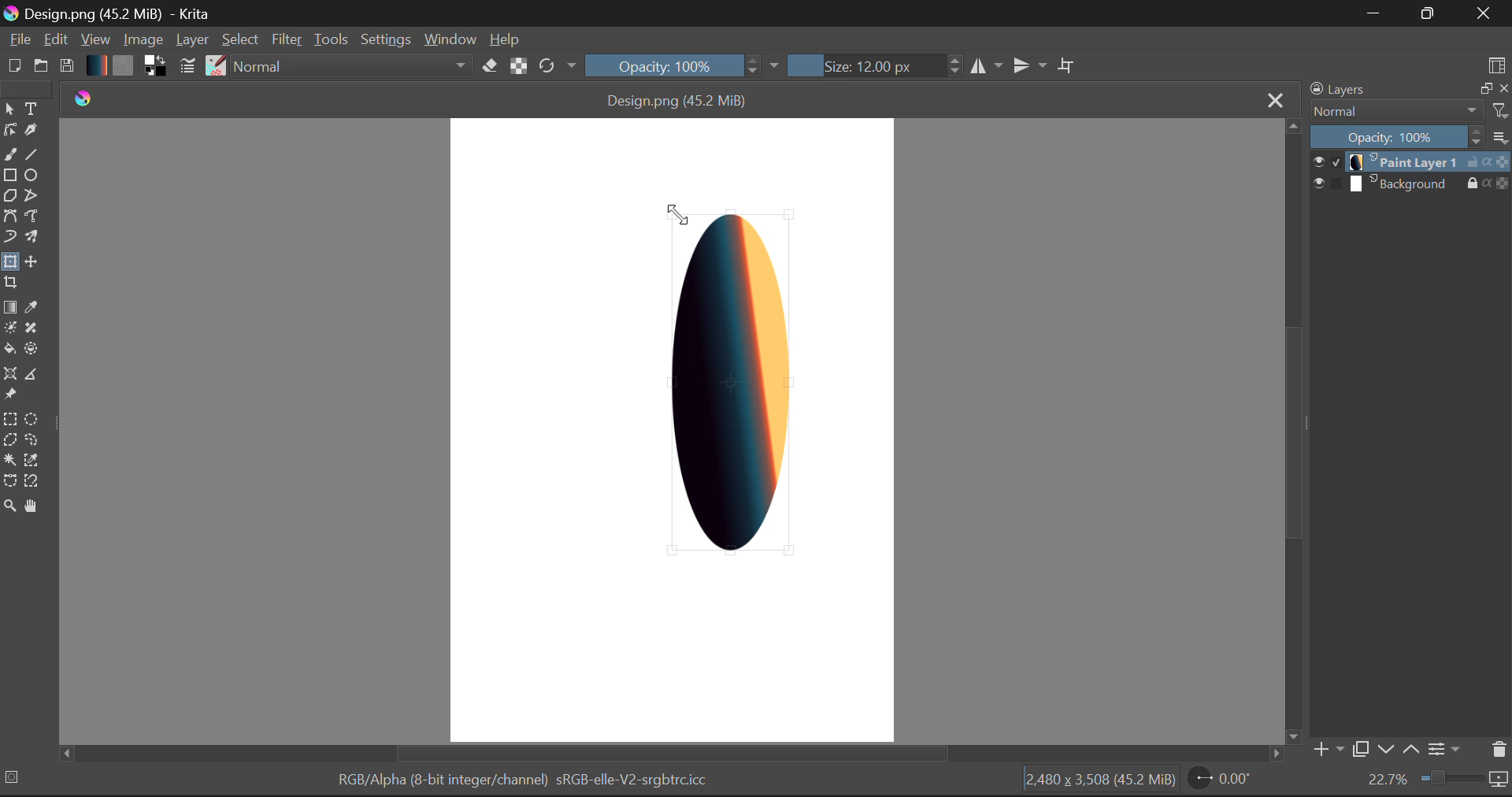 This screenshot has width=1512, height=797. What do you see at coordinates (32, 376) in the screenshot?
I see `Measurement` at bounding box center [32, 376].